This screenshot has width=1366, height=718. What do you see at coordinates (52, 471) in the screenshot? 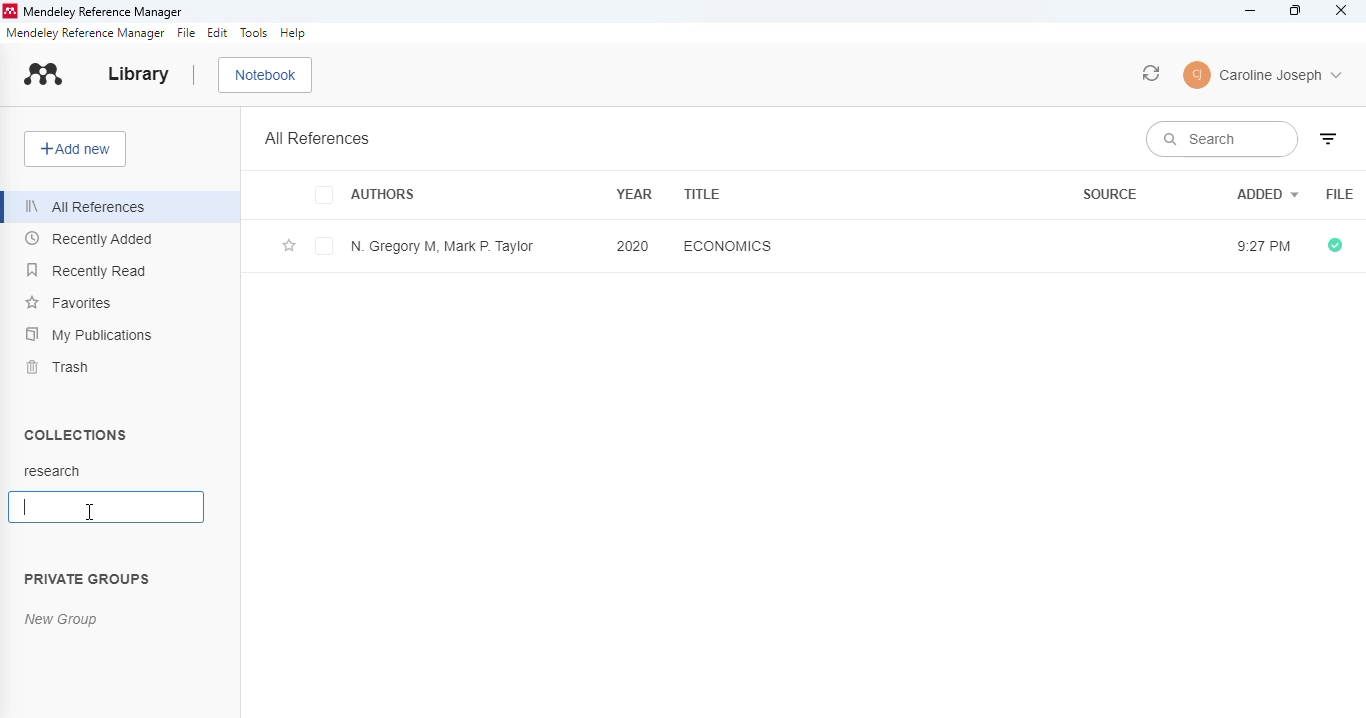
I see `research` at bounding box center [52, 471].